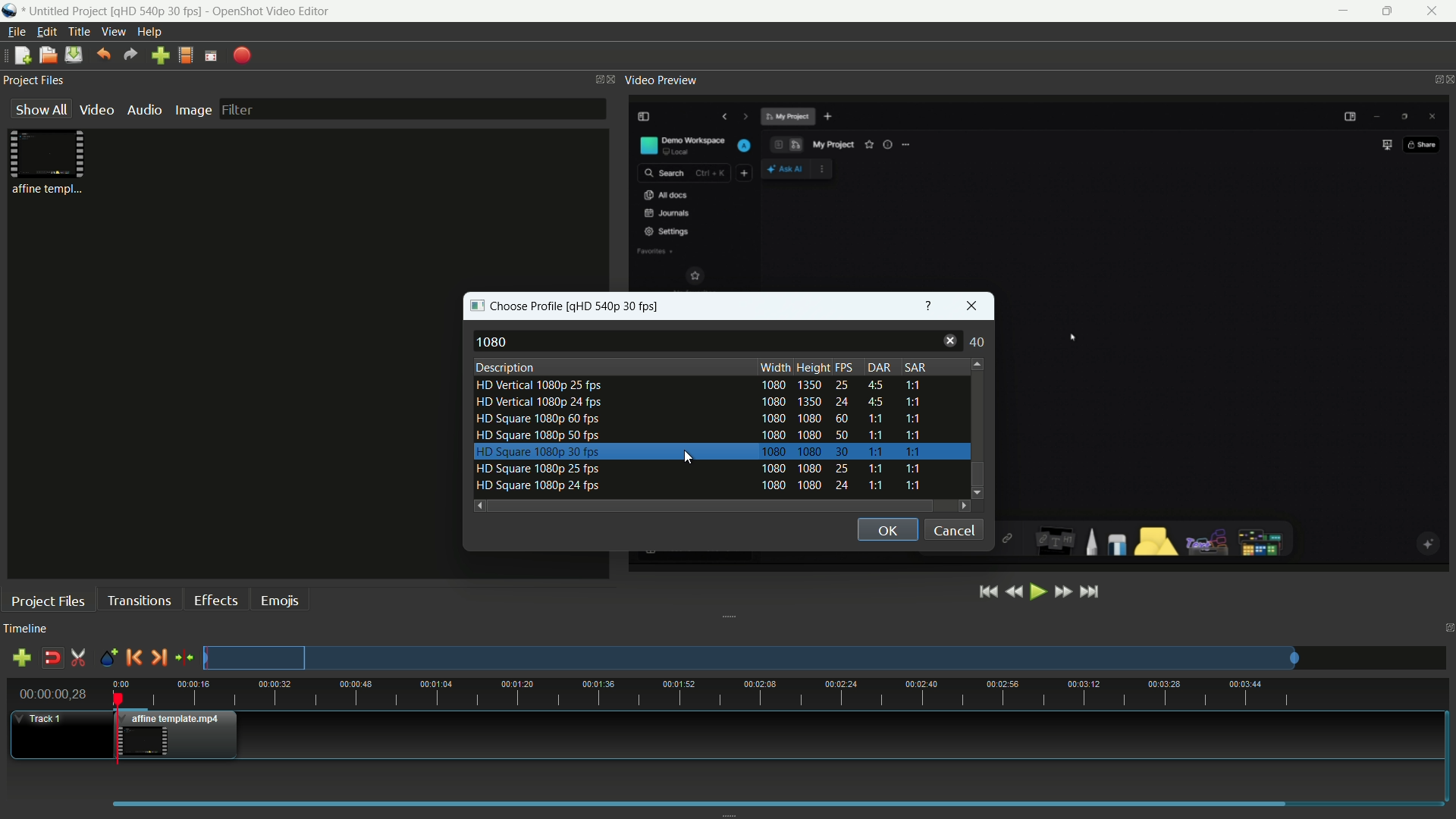  Describe the element at coordinates (753, 342) in the screenshot. I see `filter profiles` at that location.